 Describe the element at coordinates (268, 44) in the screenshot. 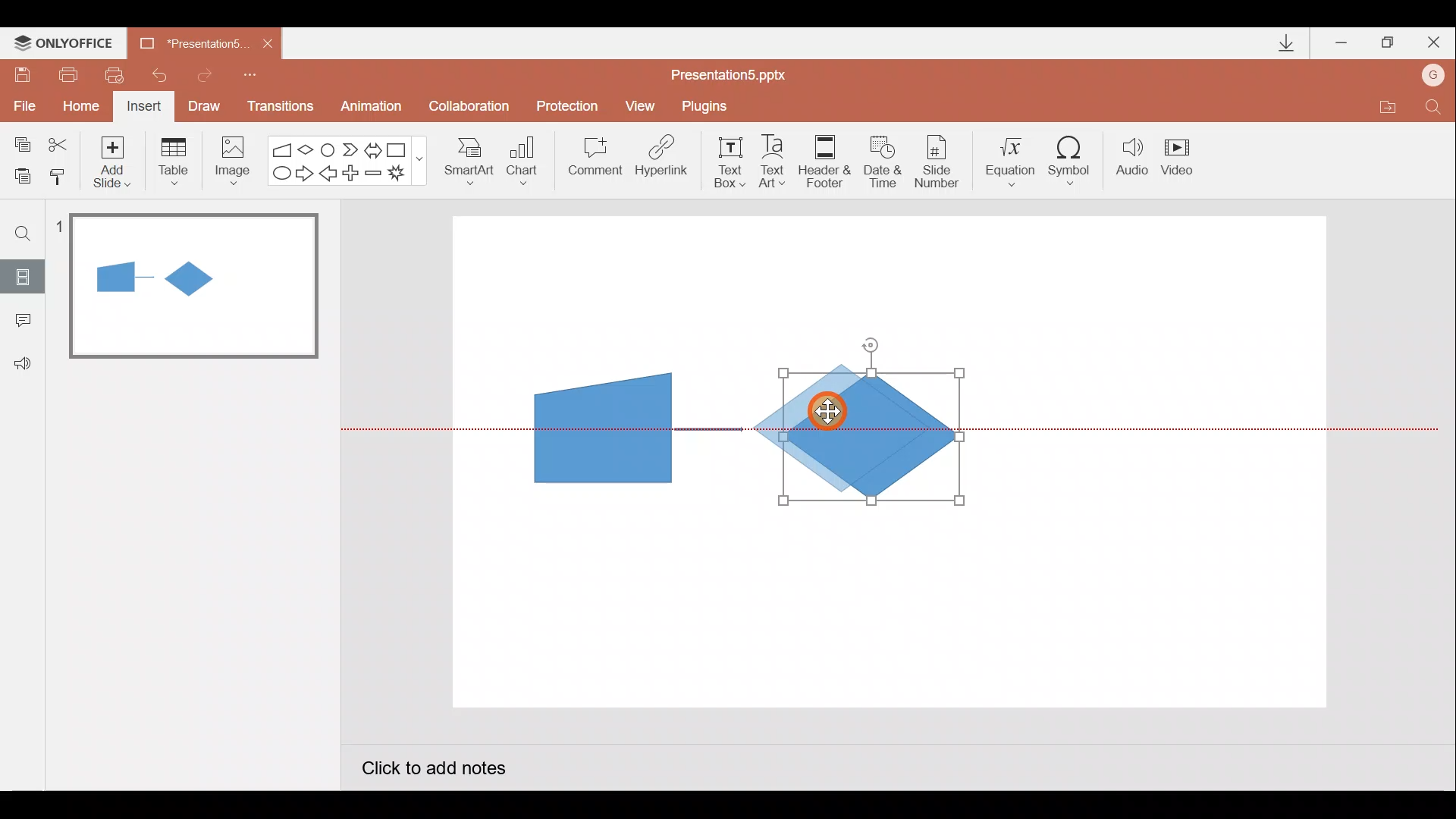

I see `Close` at that location.